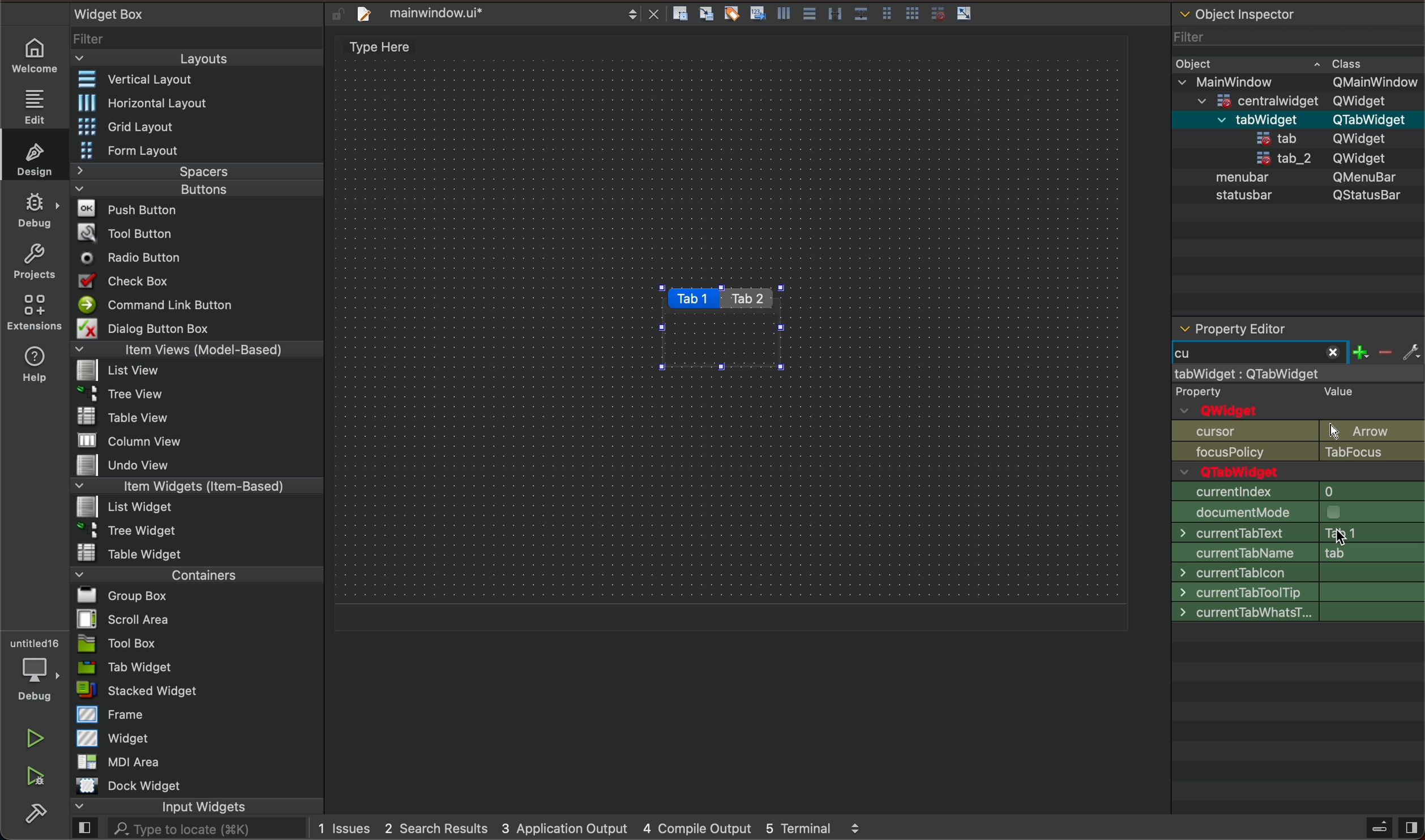 The height and width of the screenshot is (840, 1425). Describe the element at coordinates (127, 618) in the screenshot. I see `Scroll Area` at that location.